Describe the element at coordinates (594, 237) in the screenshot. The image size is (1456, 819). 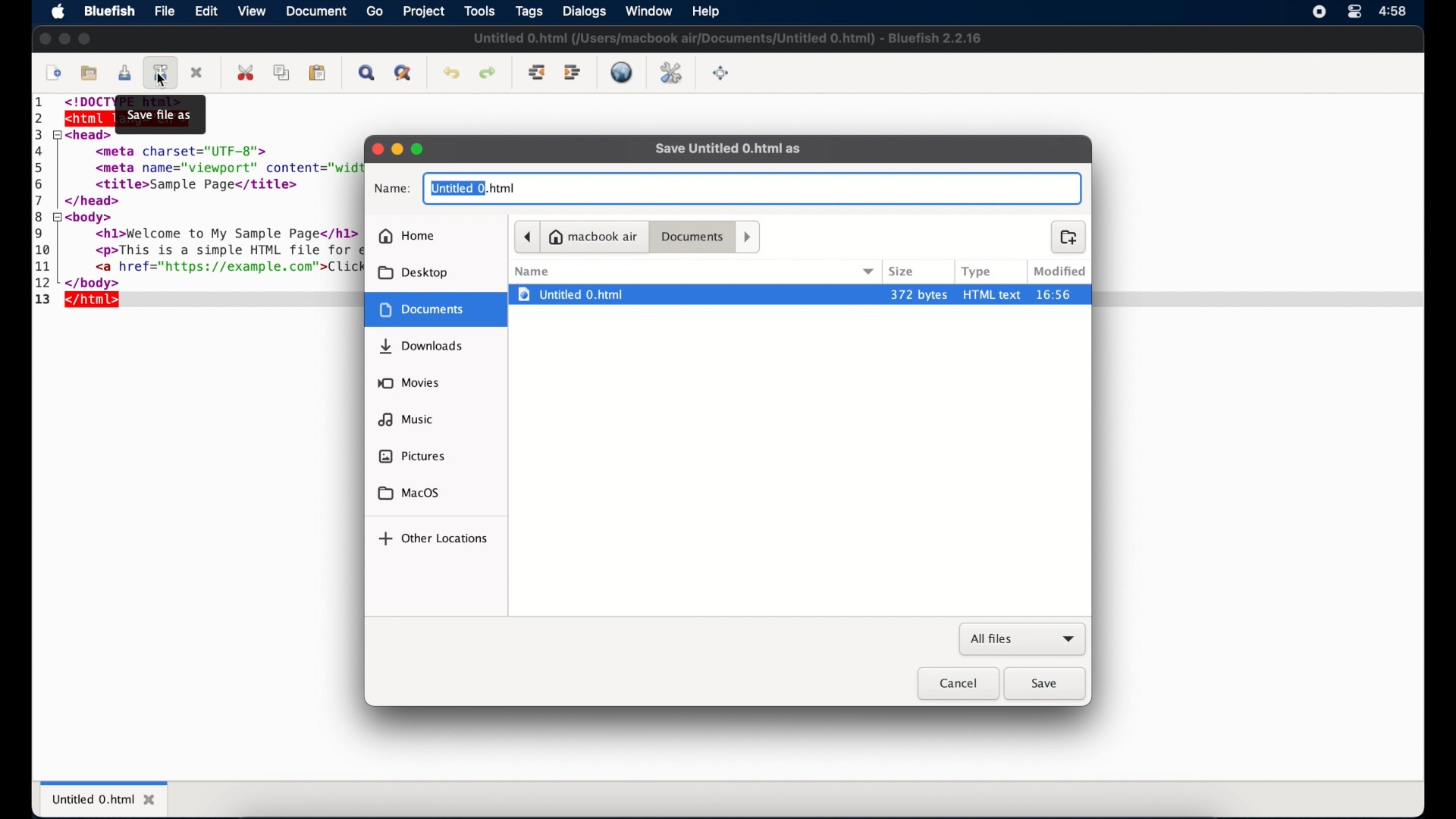
I see `macbook air` at that location.